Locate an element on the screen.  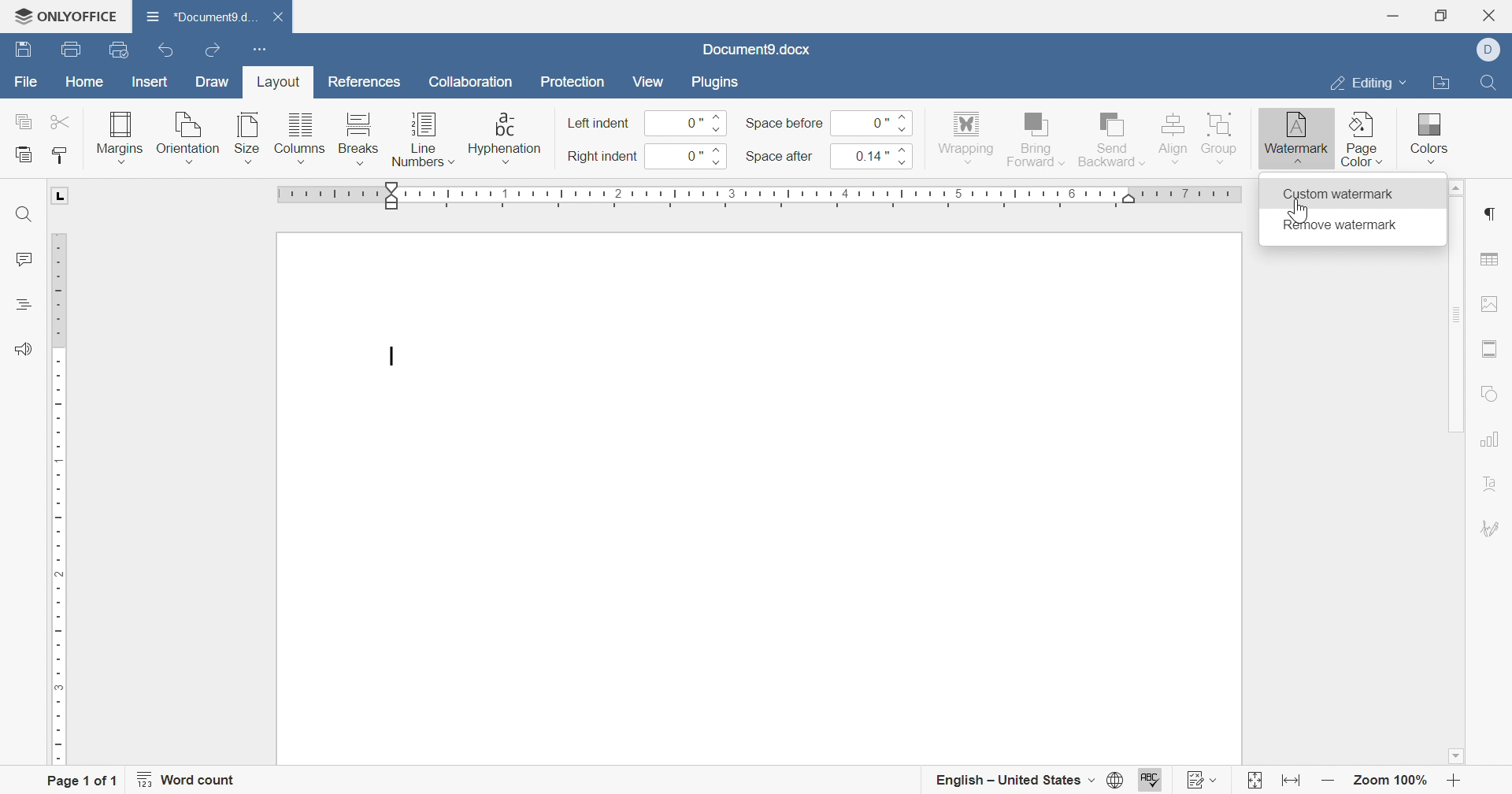
feedback and support is located at coordinates (23, 350).